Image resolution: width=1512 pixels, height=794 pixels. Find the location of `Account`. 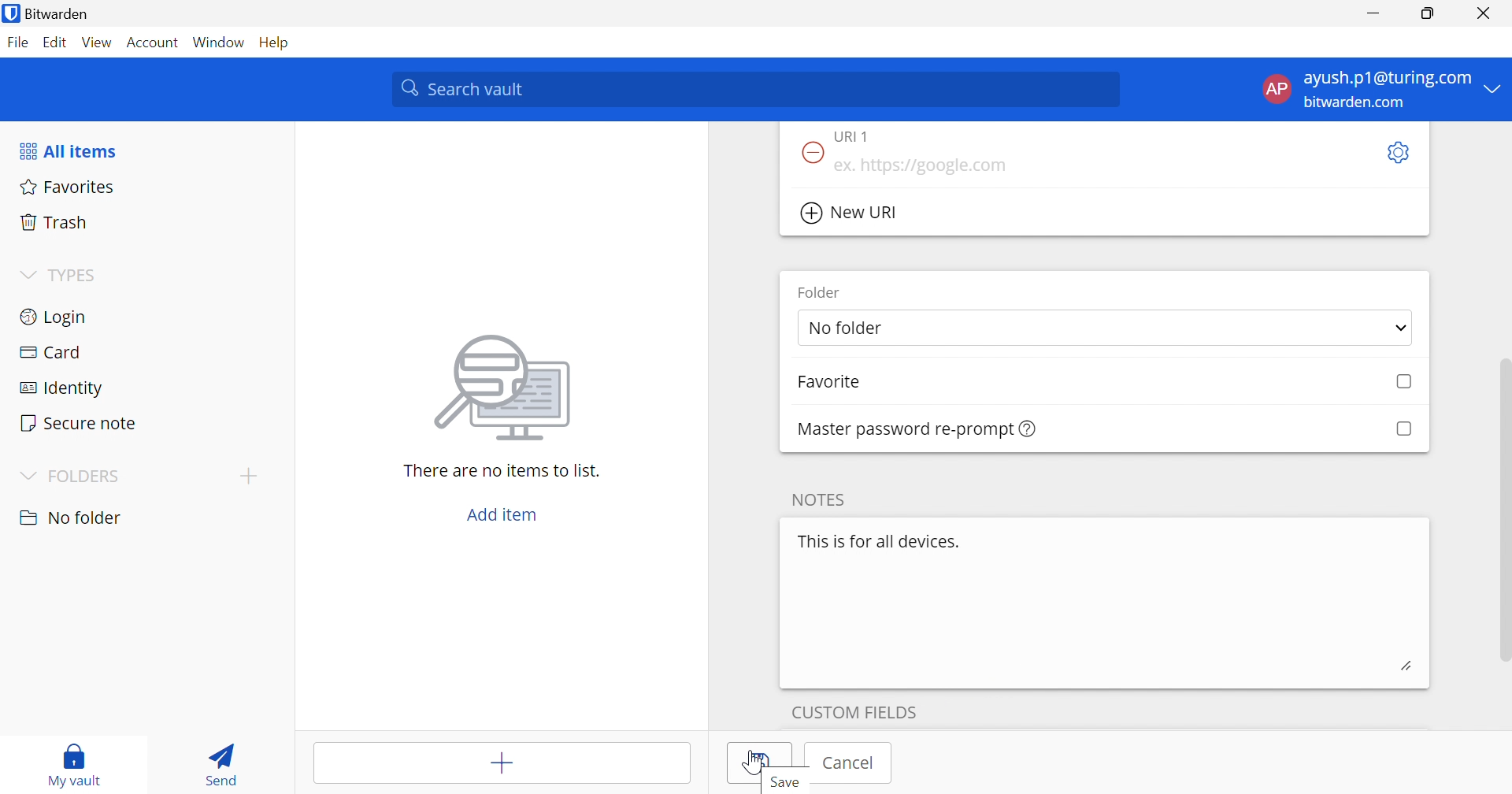

Account is located at coordinates (154, 46).